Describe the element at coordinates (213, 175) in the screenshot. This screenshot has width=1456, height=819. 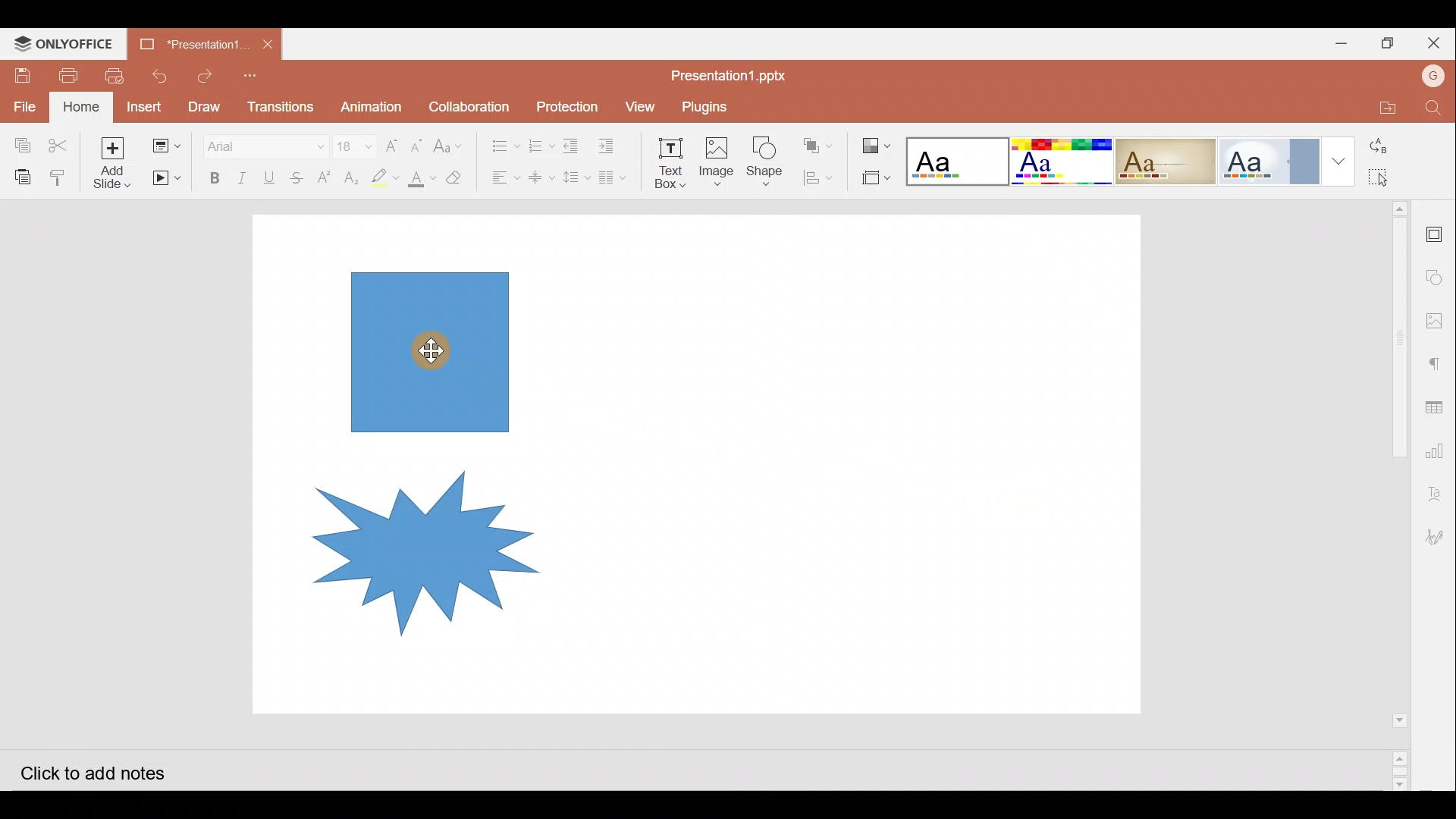
I see `Bold` at that location.